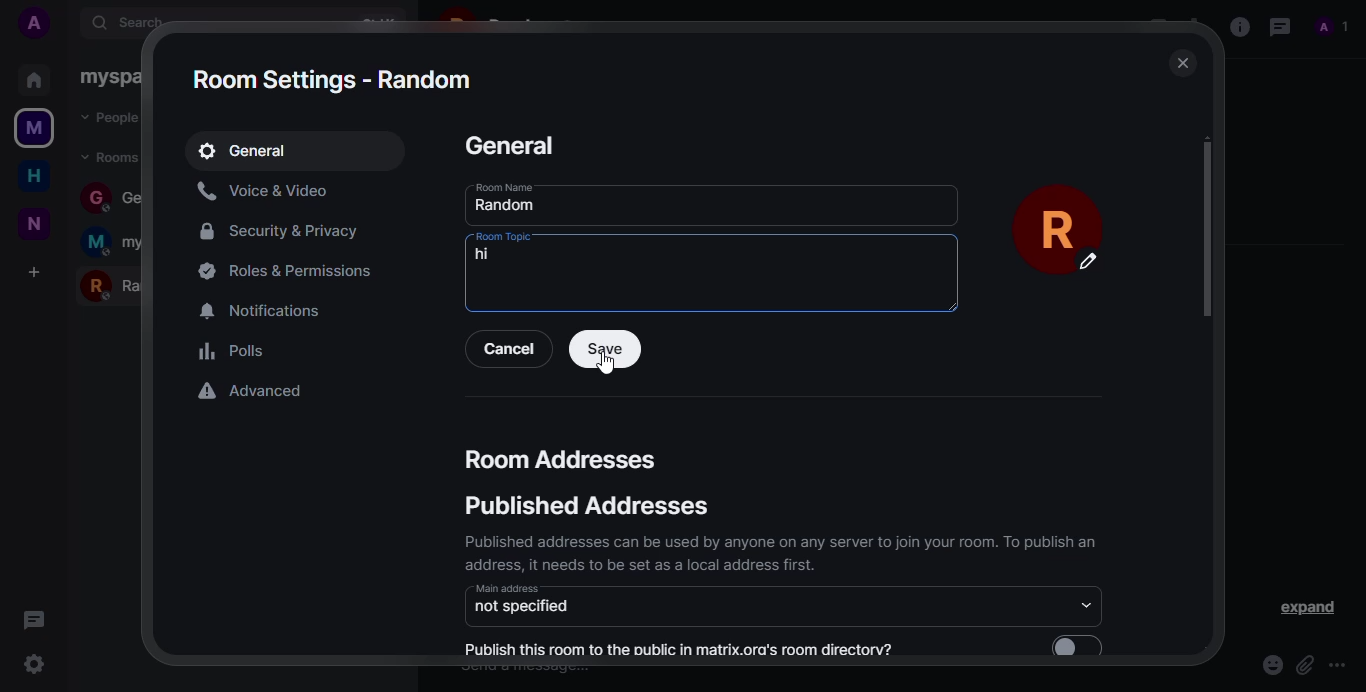  What do you see at coordinates (485, 254) in the screenshot?
I see `hi` at bounding box center [485, 254].